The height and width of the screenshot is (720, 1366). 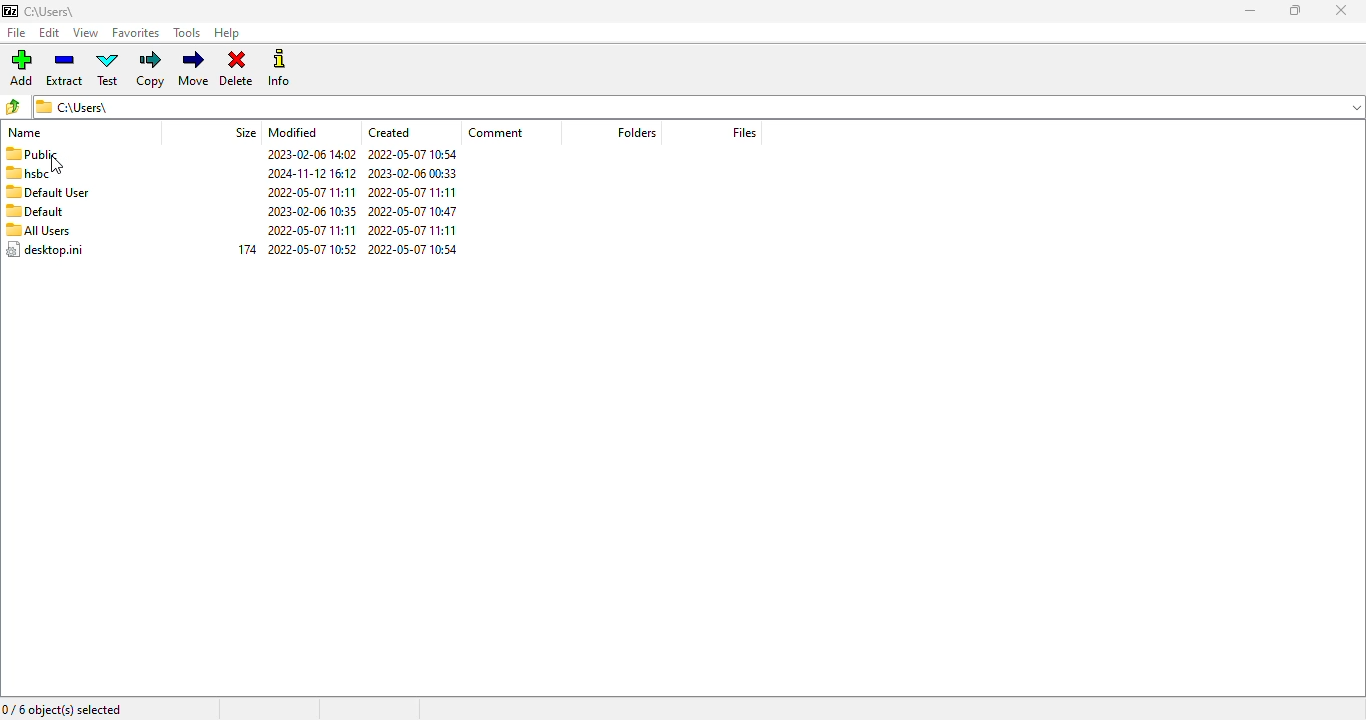 I want to click on file, so click(x=17, y=32).